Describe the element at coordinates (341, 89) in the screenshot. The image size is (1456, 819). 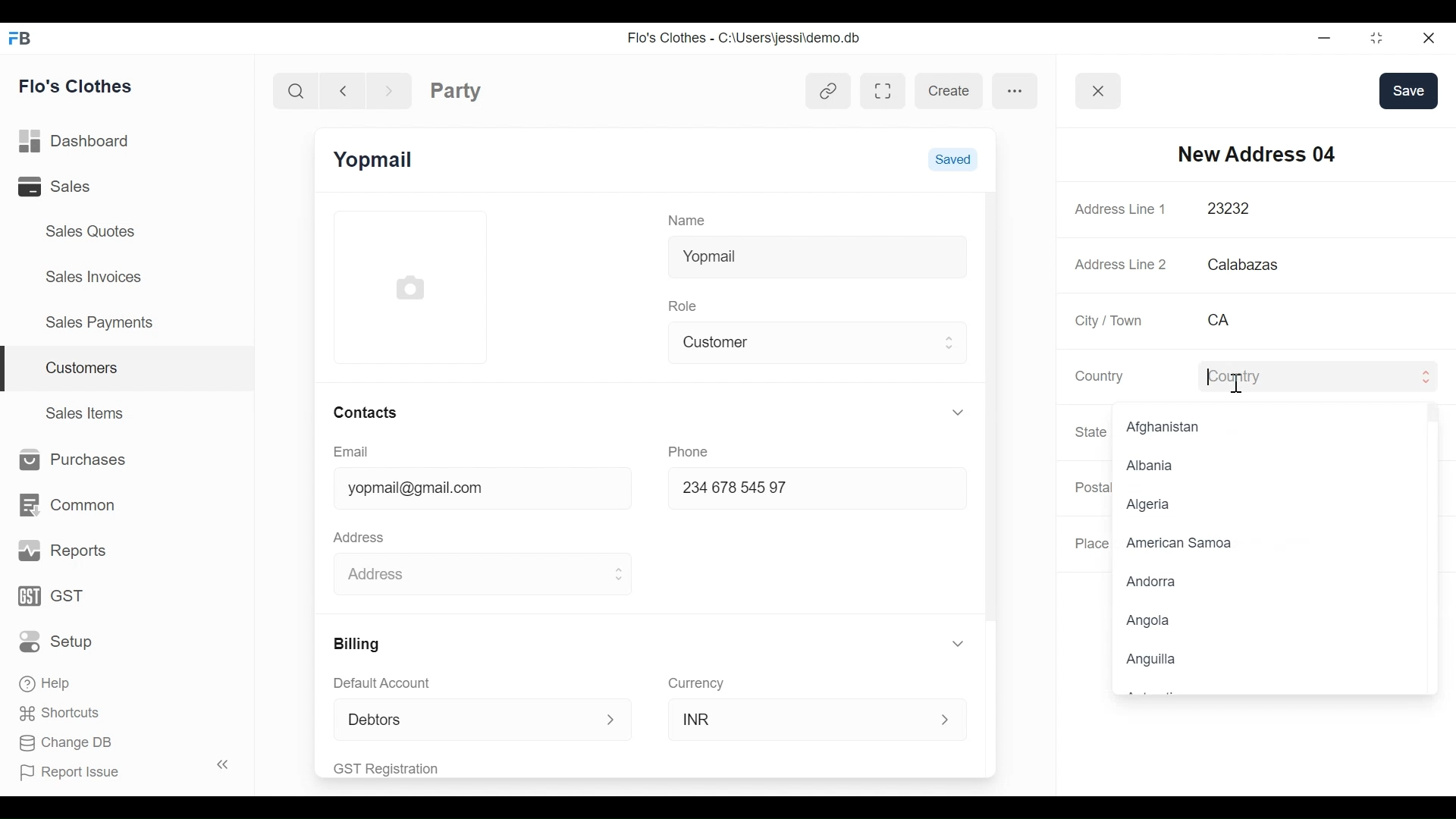
I see `Navigate back` at that location.